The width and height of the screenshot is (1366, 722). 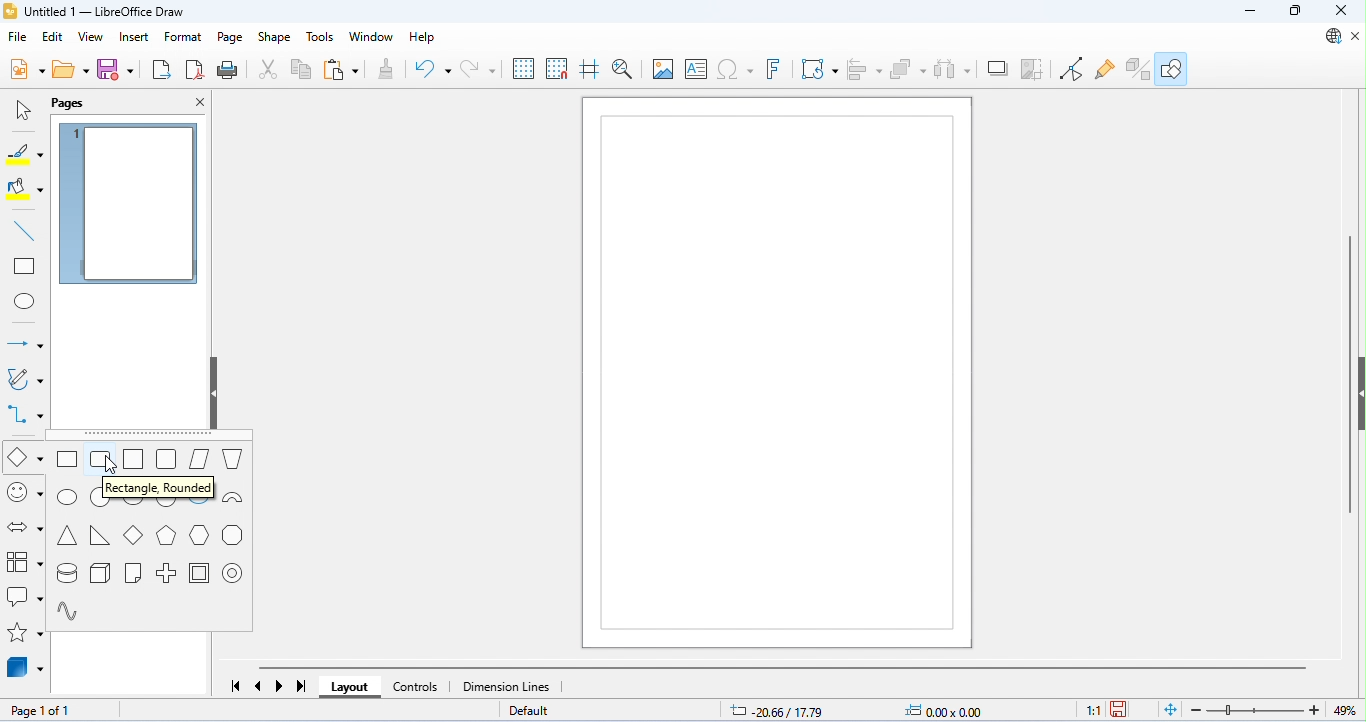 What do you see at coordinates (135, 503) in the screenshot?
I see `circle pie` at bounding box center [135, 503].